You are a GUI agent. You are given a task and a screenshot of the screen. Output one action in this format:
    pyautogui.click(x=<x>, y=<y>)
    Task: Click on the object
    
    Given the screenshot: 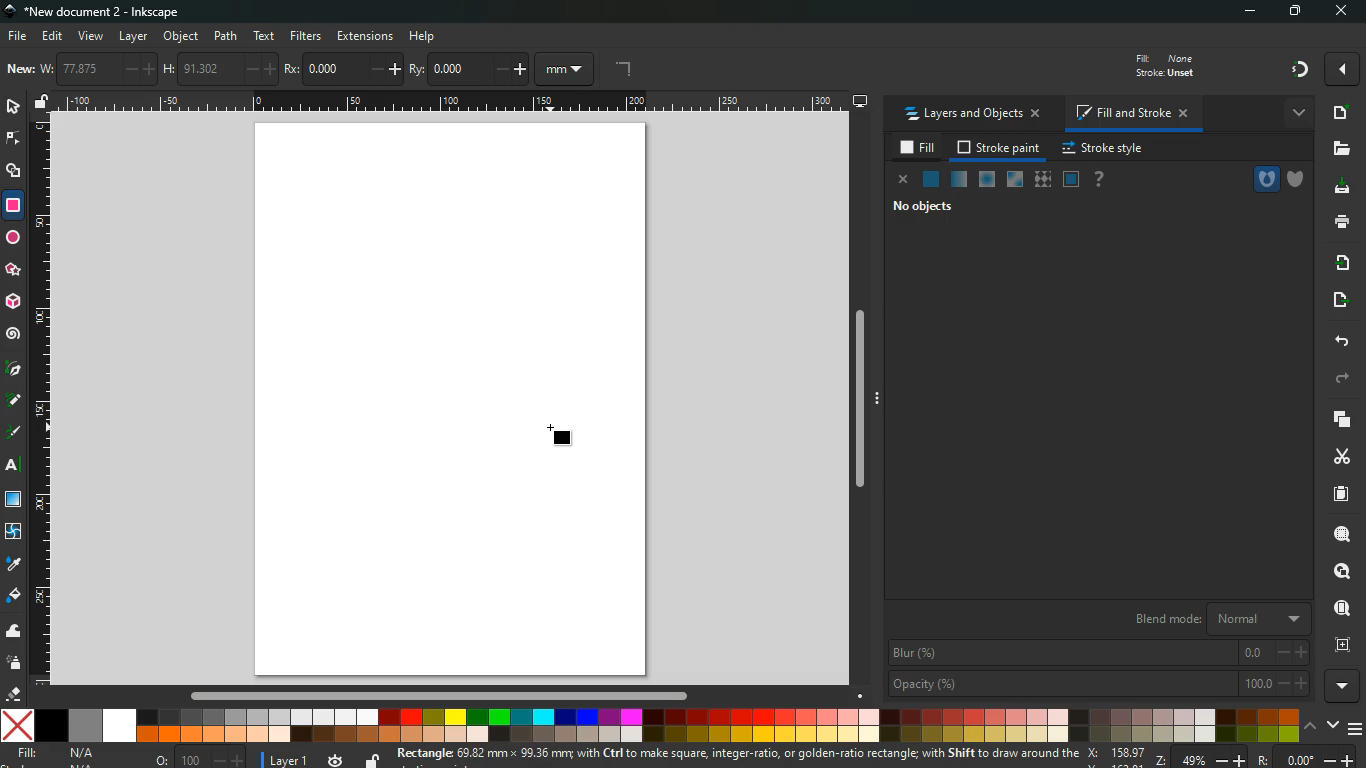 What is the action you would take?
    pyautogui.click(x=181, y=36)
    